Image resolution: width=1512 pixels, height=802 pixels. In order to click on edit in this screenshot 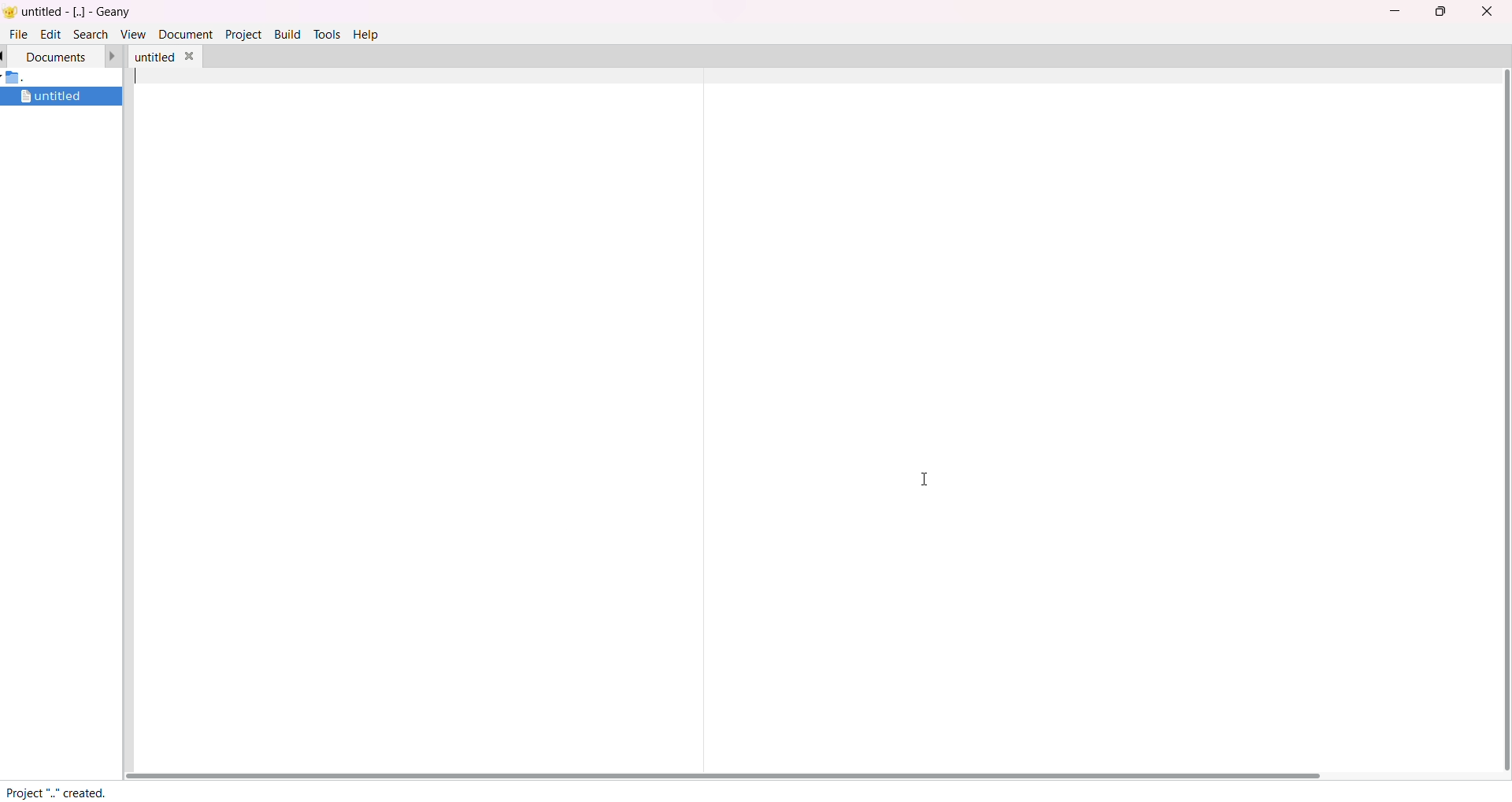, I will do `click(51, 33)`.